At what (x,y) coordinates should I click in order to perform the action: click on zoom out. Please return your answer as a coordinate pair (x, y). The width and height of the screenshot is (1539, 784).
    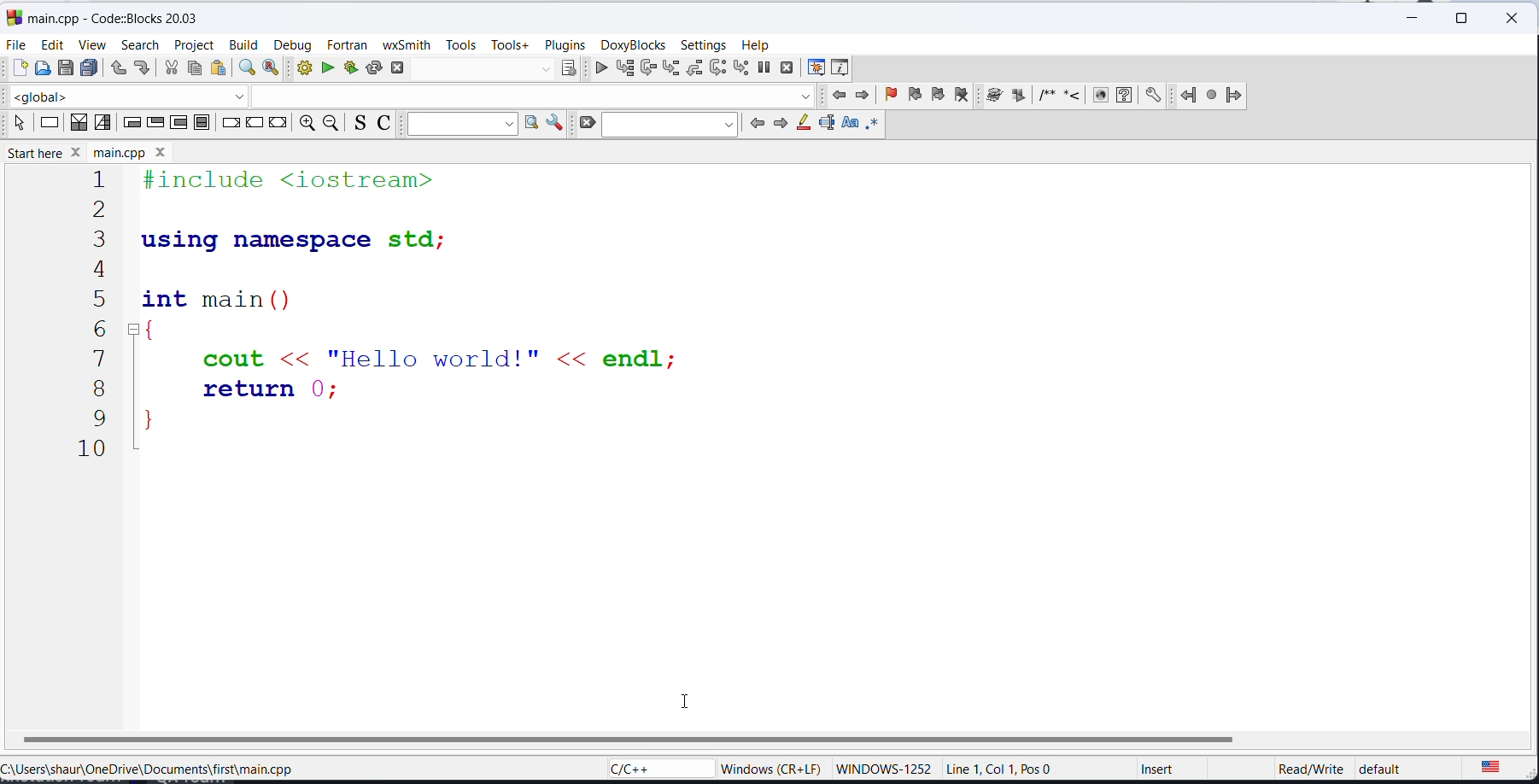
    Looking at the image, I should click on (329, 125).